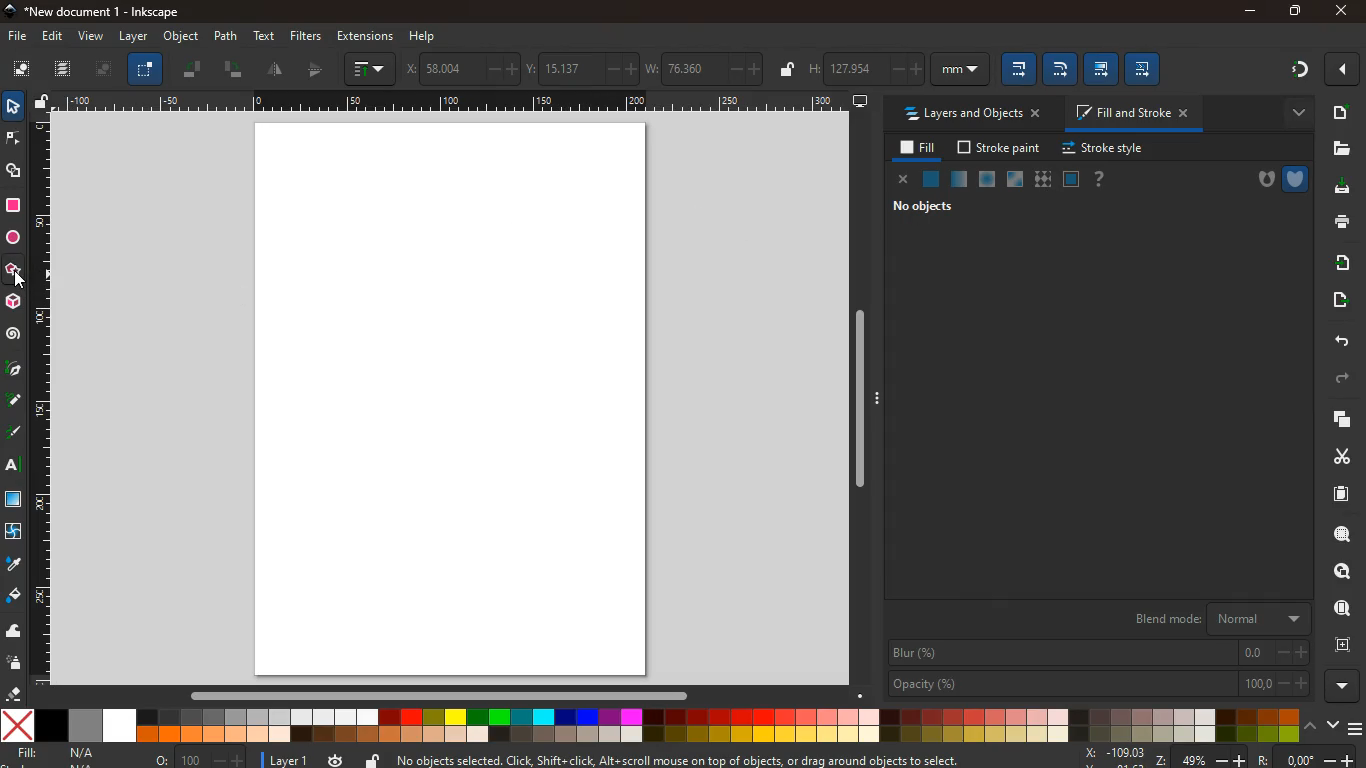 This screenshot has height=768, width=1366. I want to click on select, so click(144, 69).